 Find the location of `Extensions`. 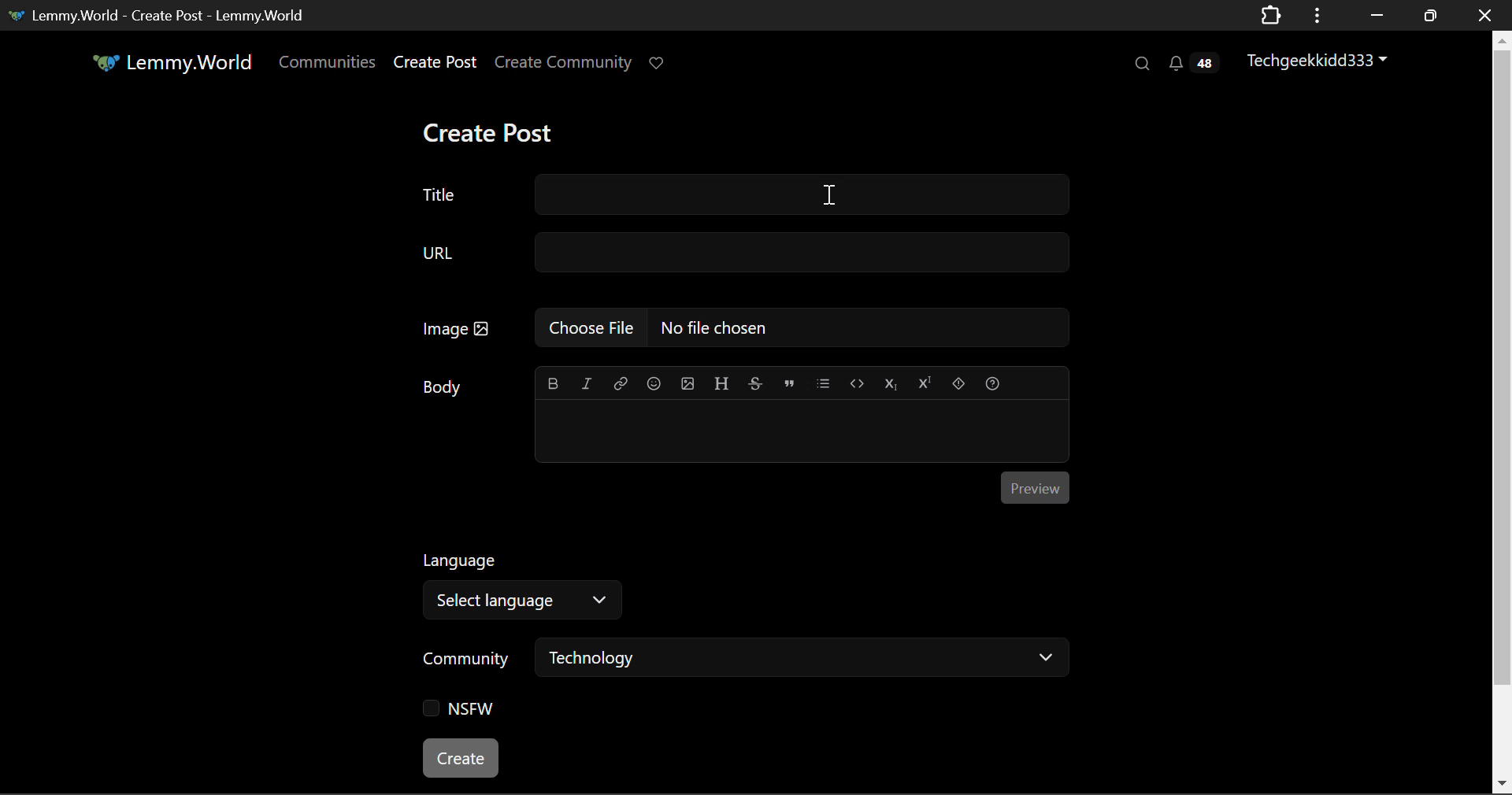

Extensions is located at coordinates (1270, 14).